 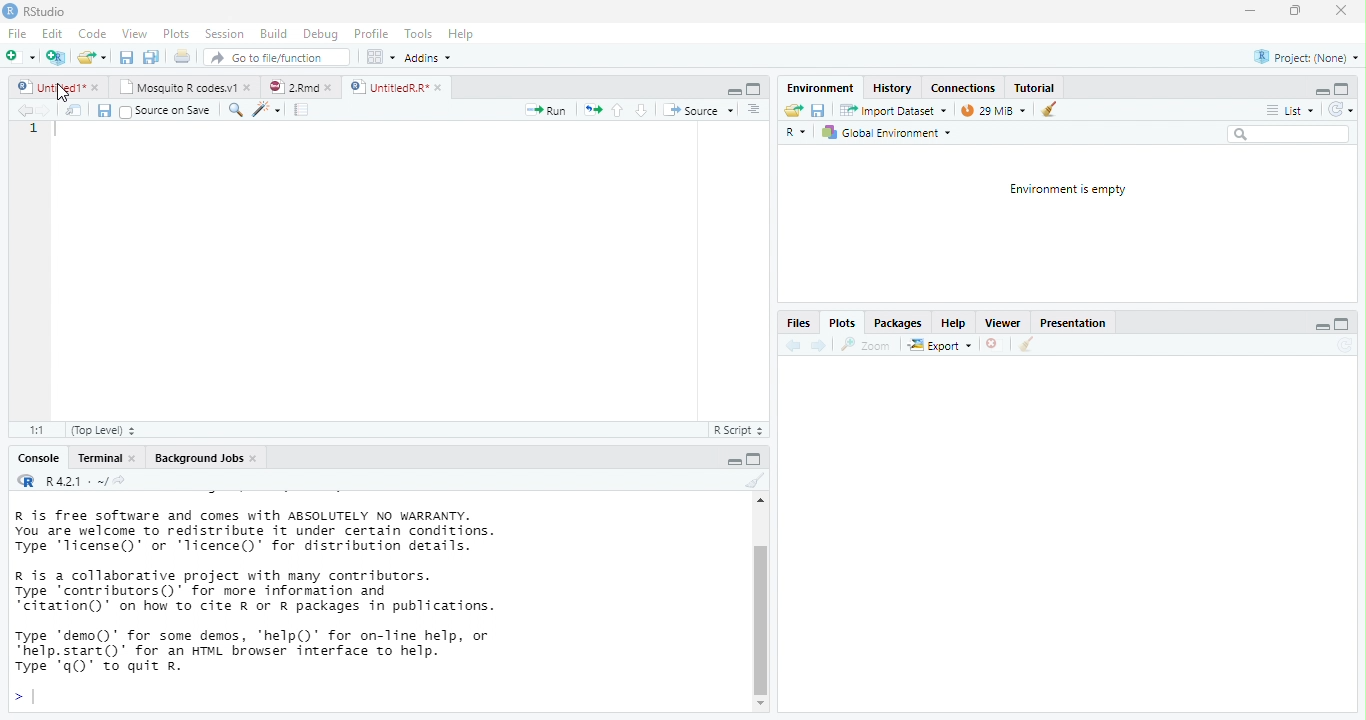 What do you see at coordinates (250, 86) in the screenshot?
I see `close` at bounding box center [250, 86].